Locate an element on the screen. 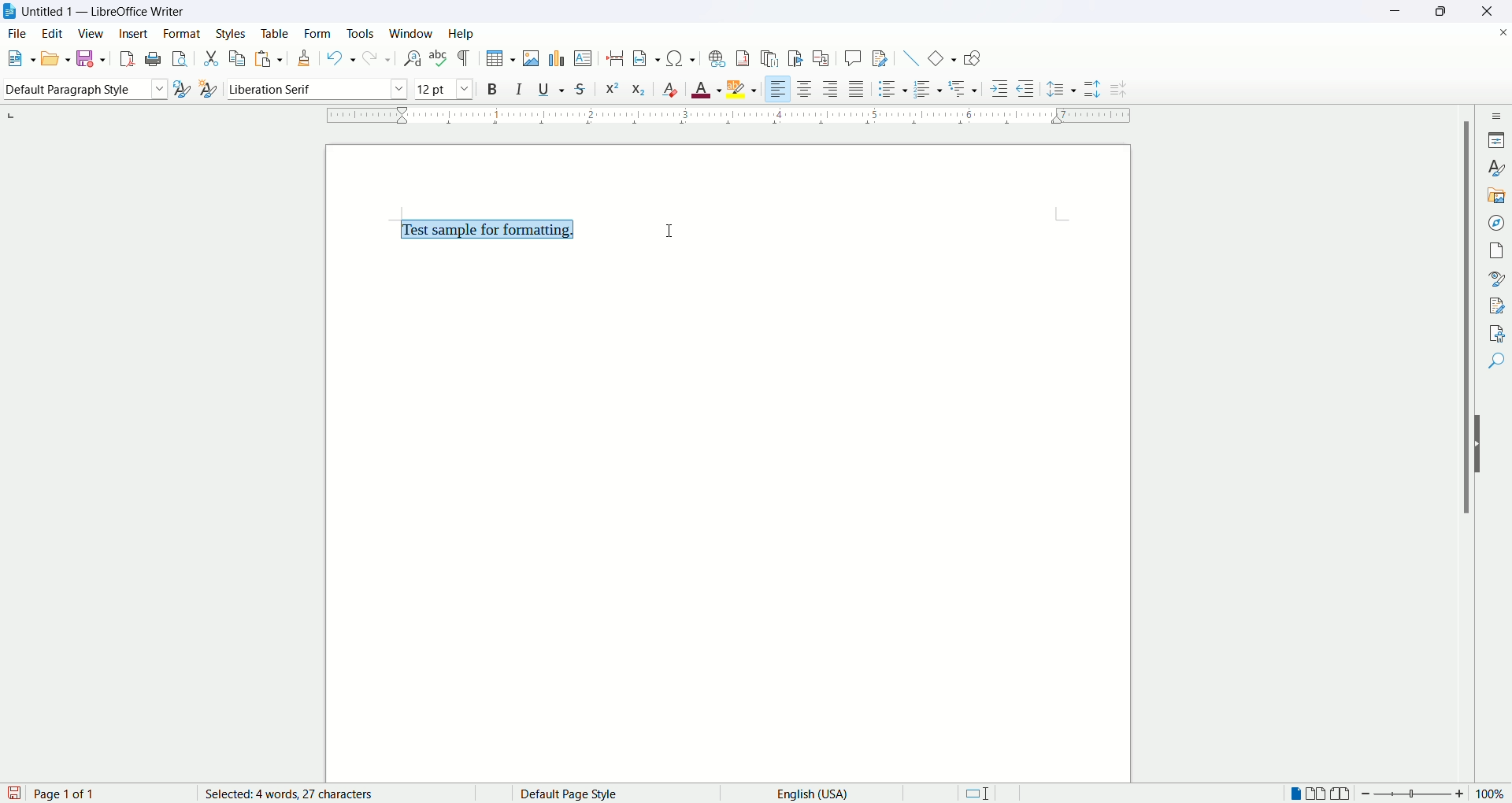 The height and width of the screenshot is (803, 1512). underline is located at coordinates (551, 90).